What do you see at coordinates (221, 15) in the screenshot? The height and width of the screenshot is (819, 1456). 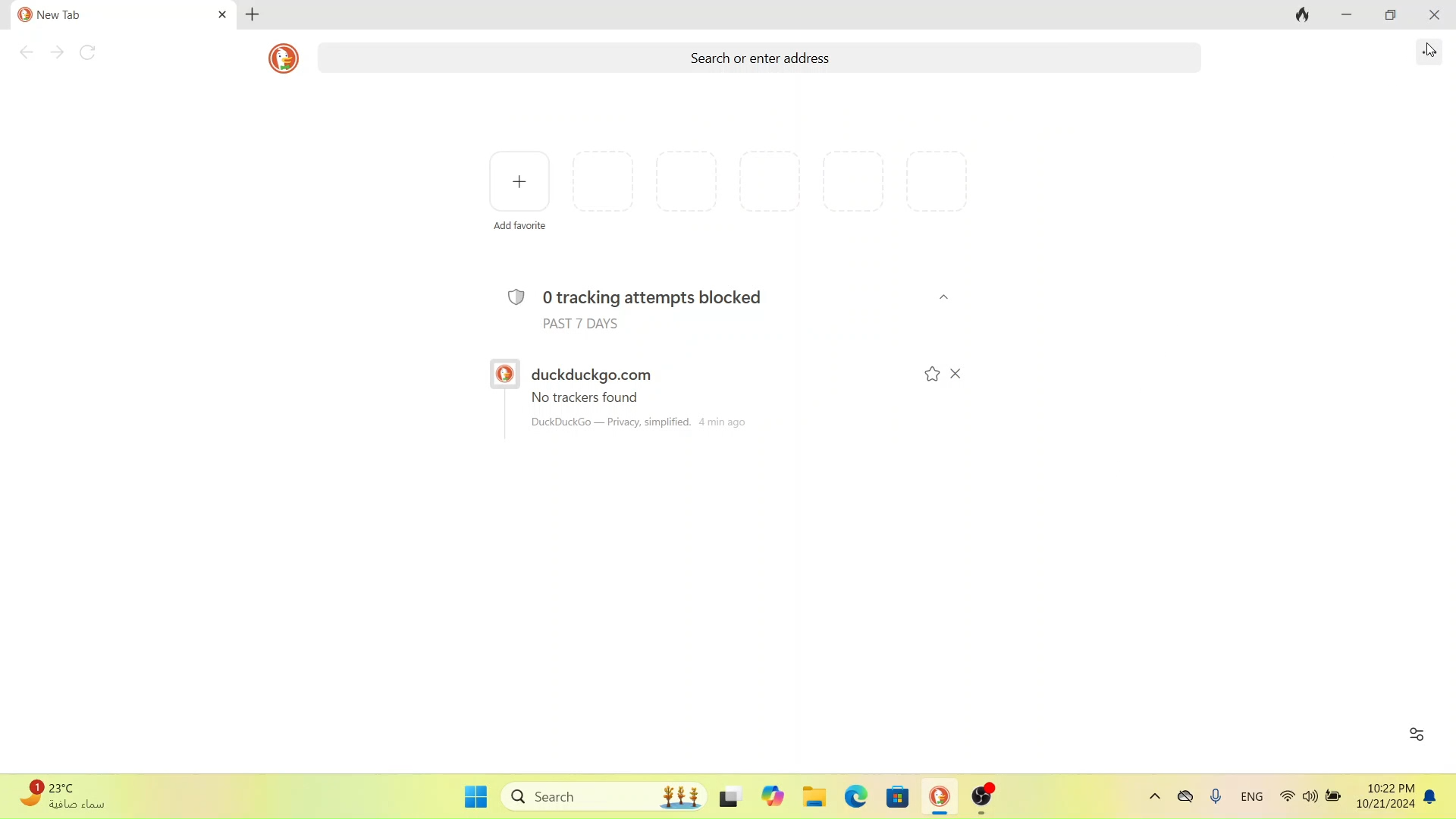 I see `close tab` at bounding box center [221, 15].